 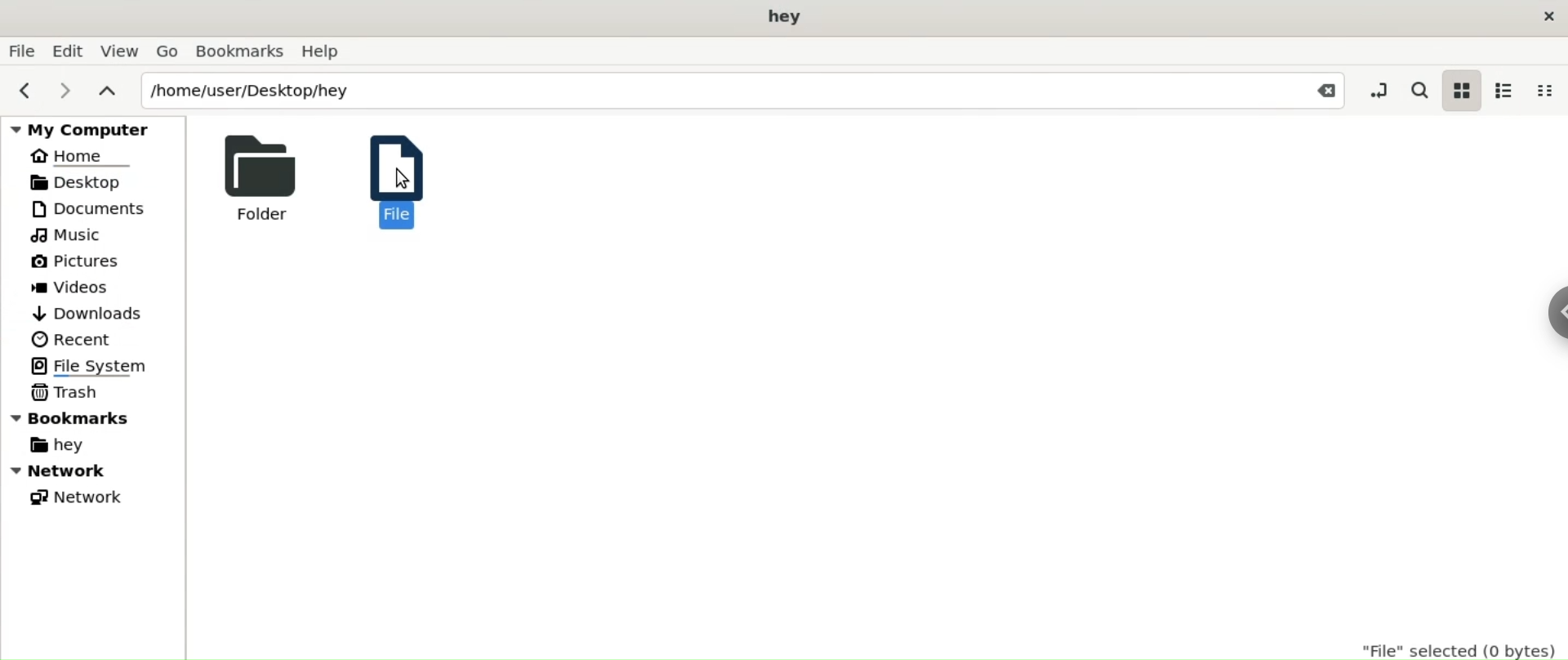 What do you see at coordinates (83, 288) in the screenshot?
I see `Videos` at bounding box center [83, 288].